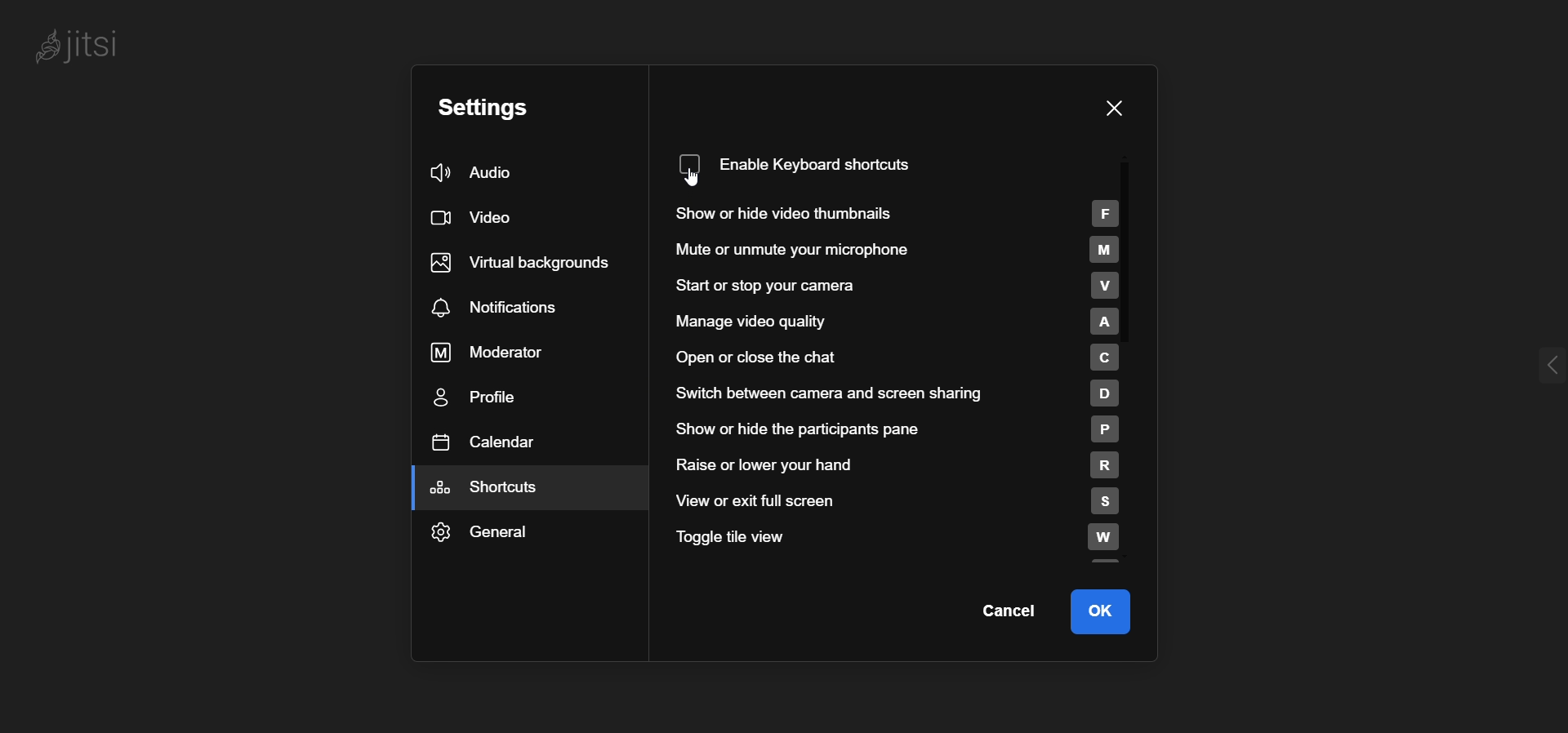 The image size is (1568, 733). What do you see at coordinates (493, 529) in the screenshot?
I see `general` at bounding box center [493, 529].